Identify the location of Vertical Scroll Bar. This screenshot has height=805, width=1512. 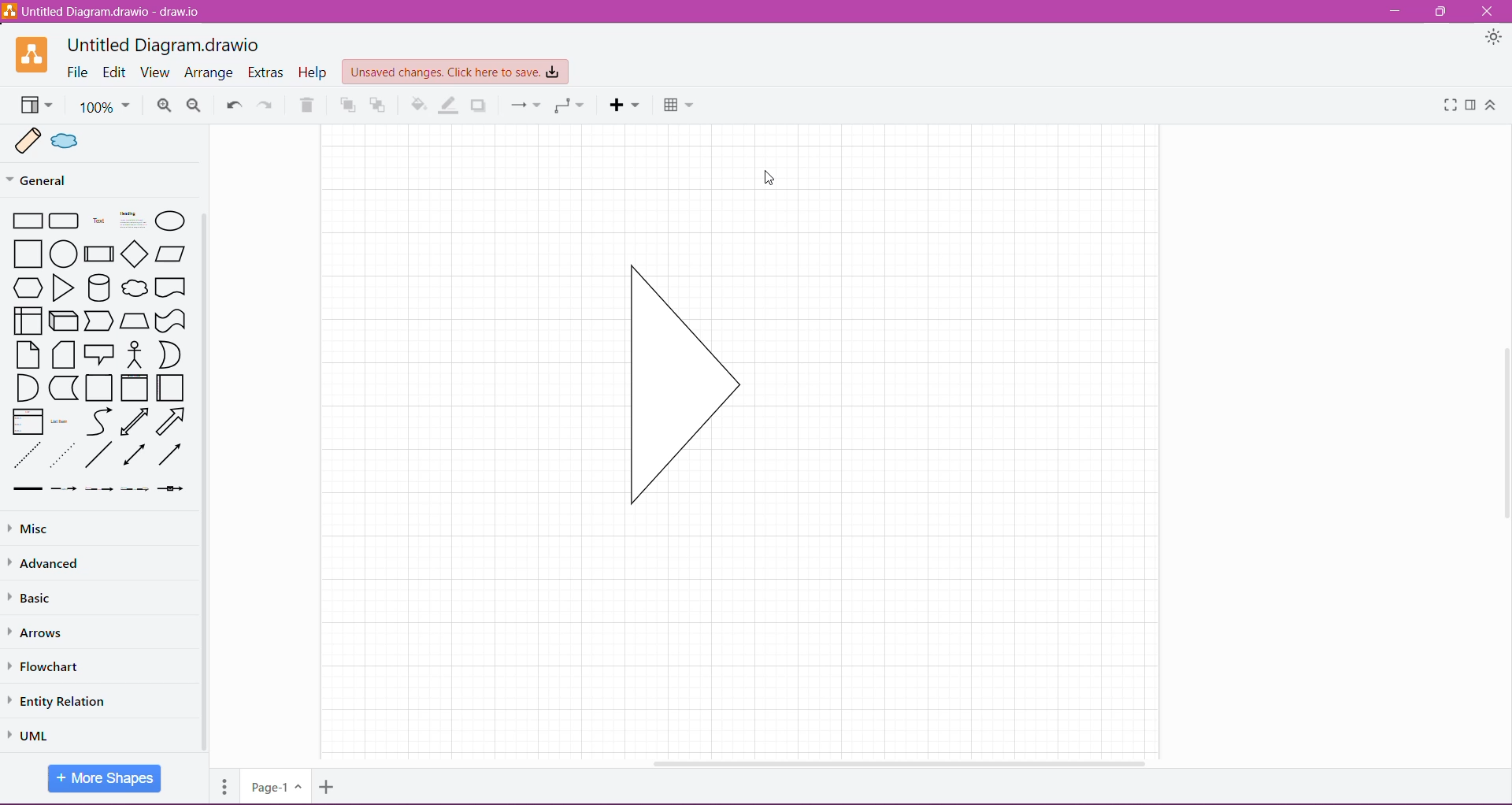
(1503, 417).